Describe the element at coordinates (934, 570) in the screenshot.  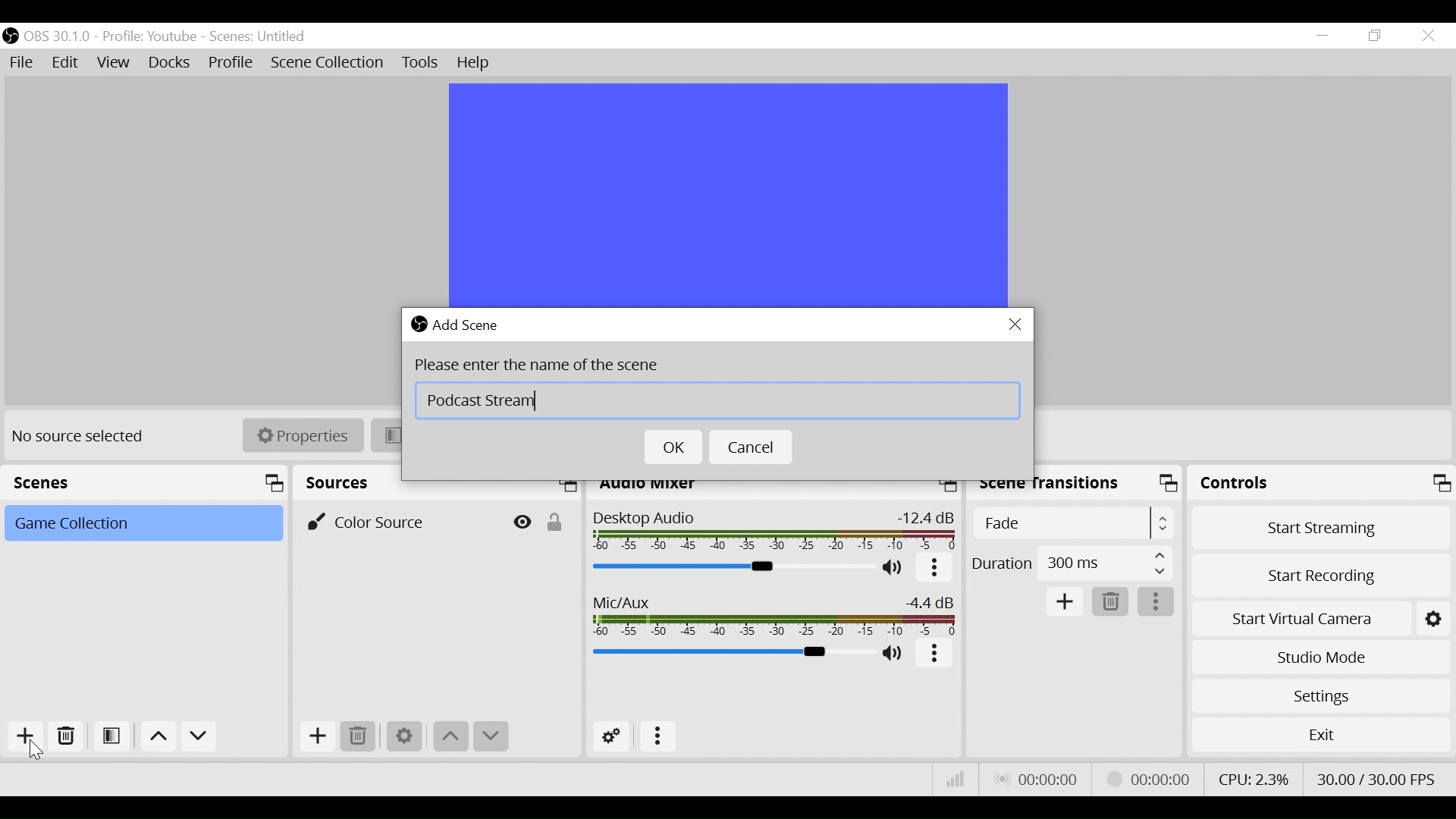
I see `more options` at that location.